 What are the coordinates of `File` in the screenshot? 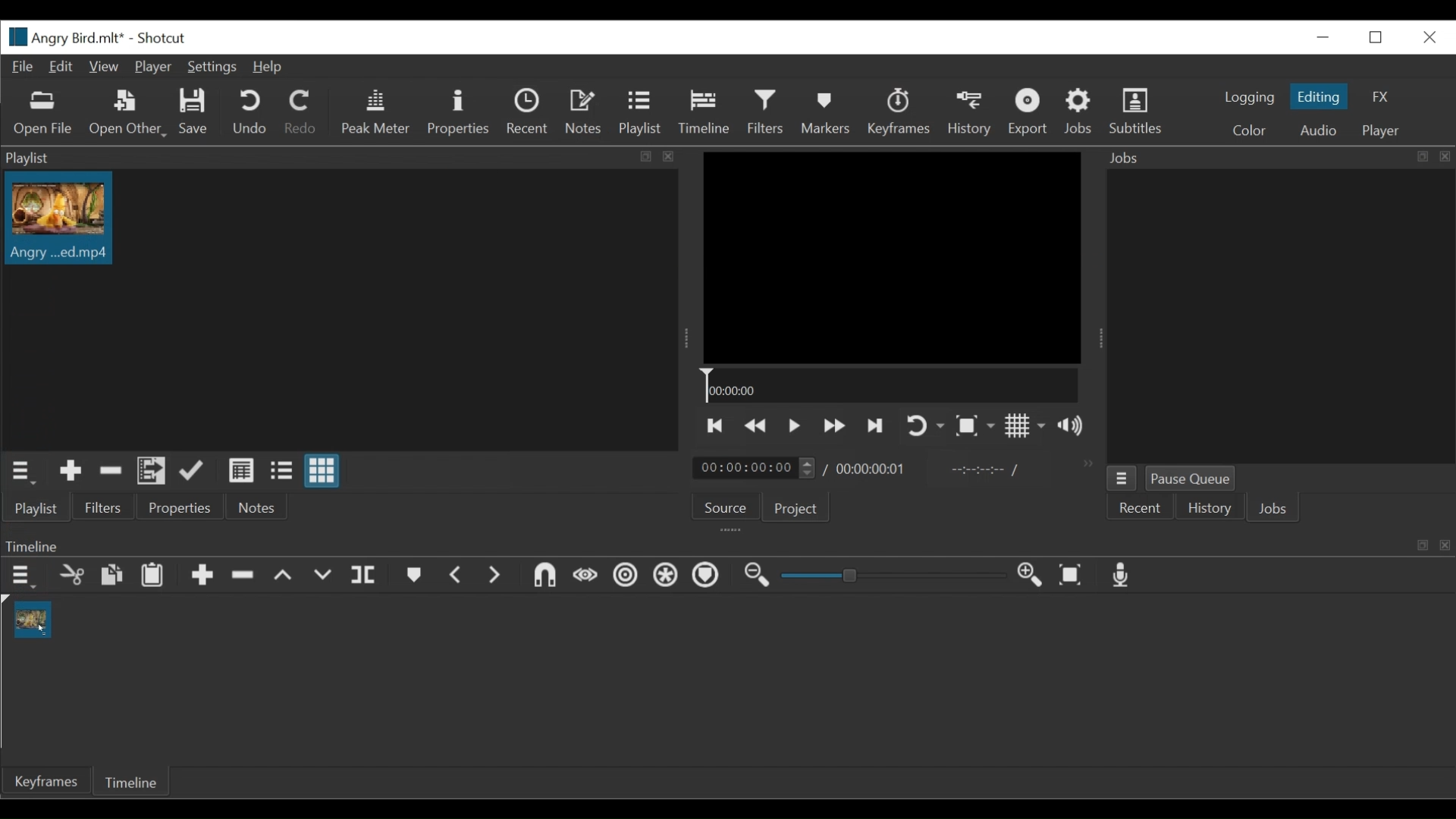 It's located at (21, 66).